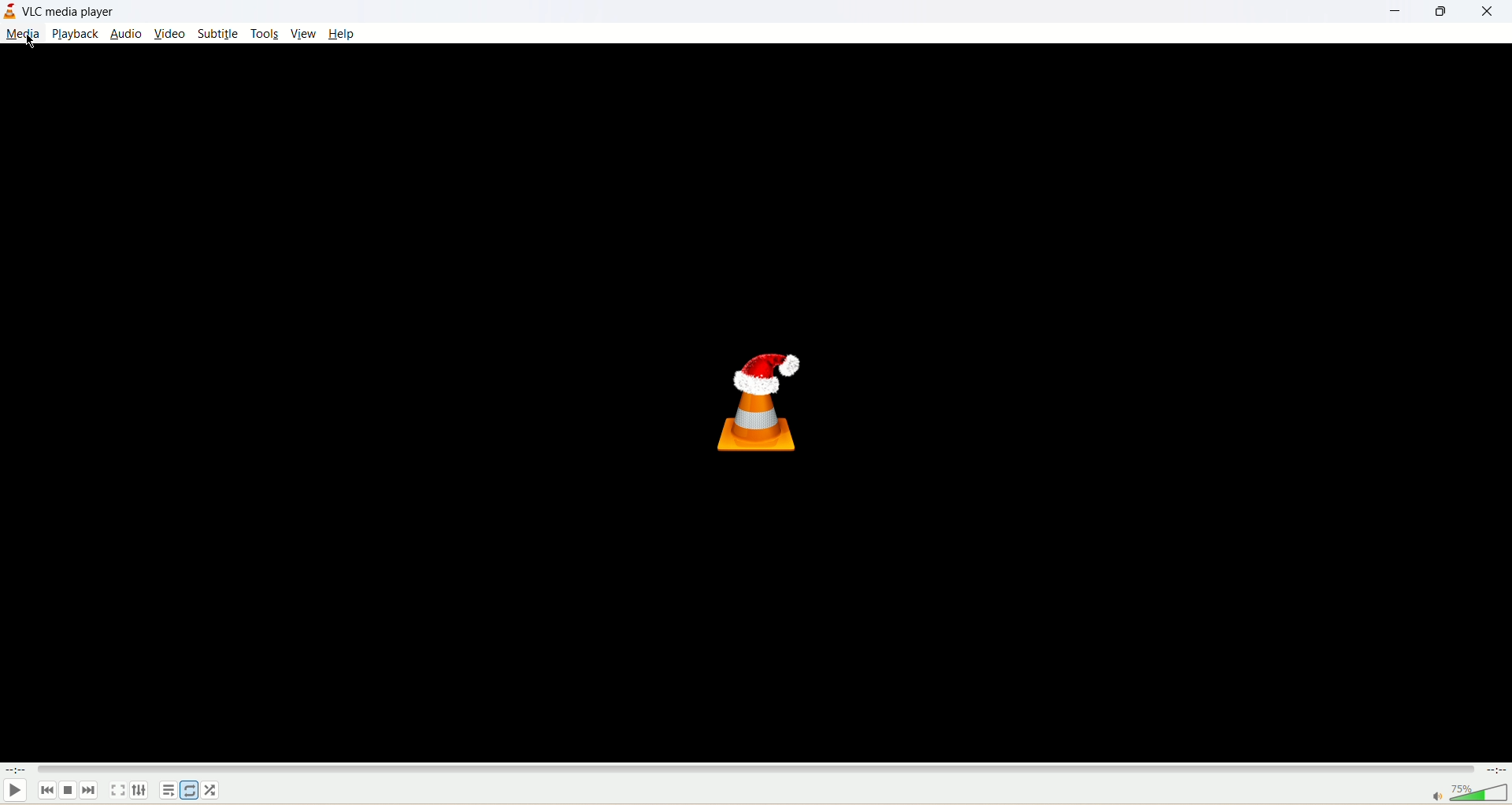  I want to click on cursor, so click(29, 43).